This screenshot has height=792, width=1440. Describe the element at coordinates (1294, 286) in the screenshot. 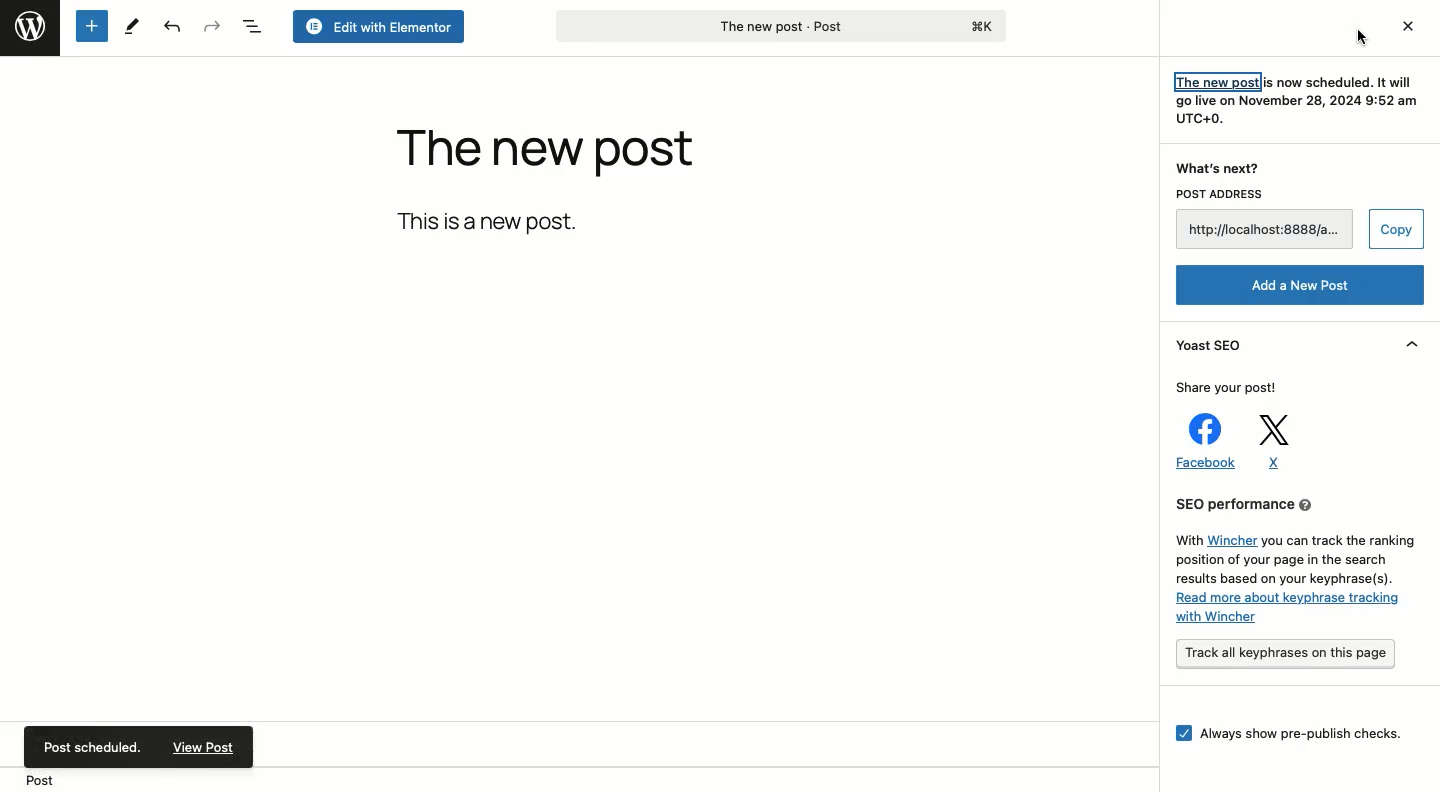

I see `Add new post` at that location.